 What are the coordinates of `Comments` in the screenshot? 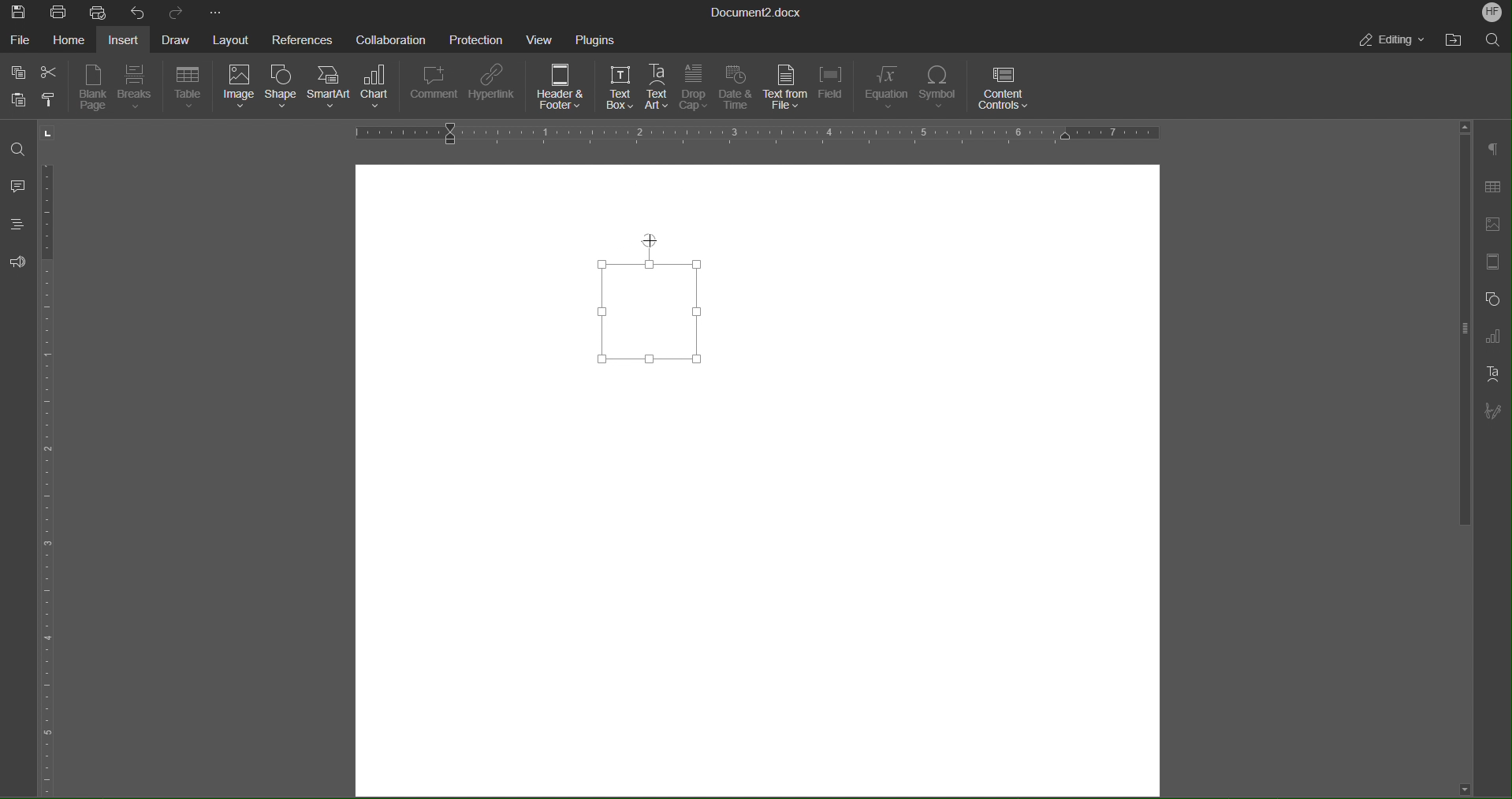 It's located at (19, 186).